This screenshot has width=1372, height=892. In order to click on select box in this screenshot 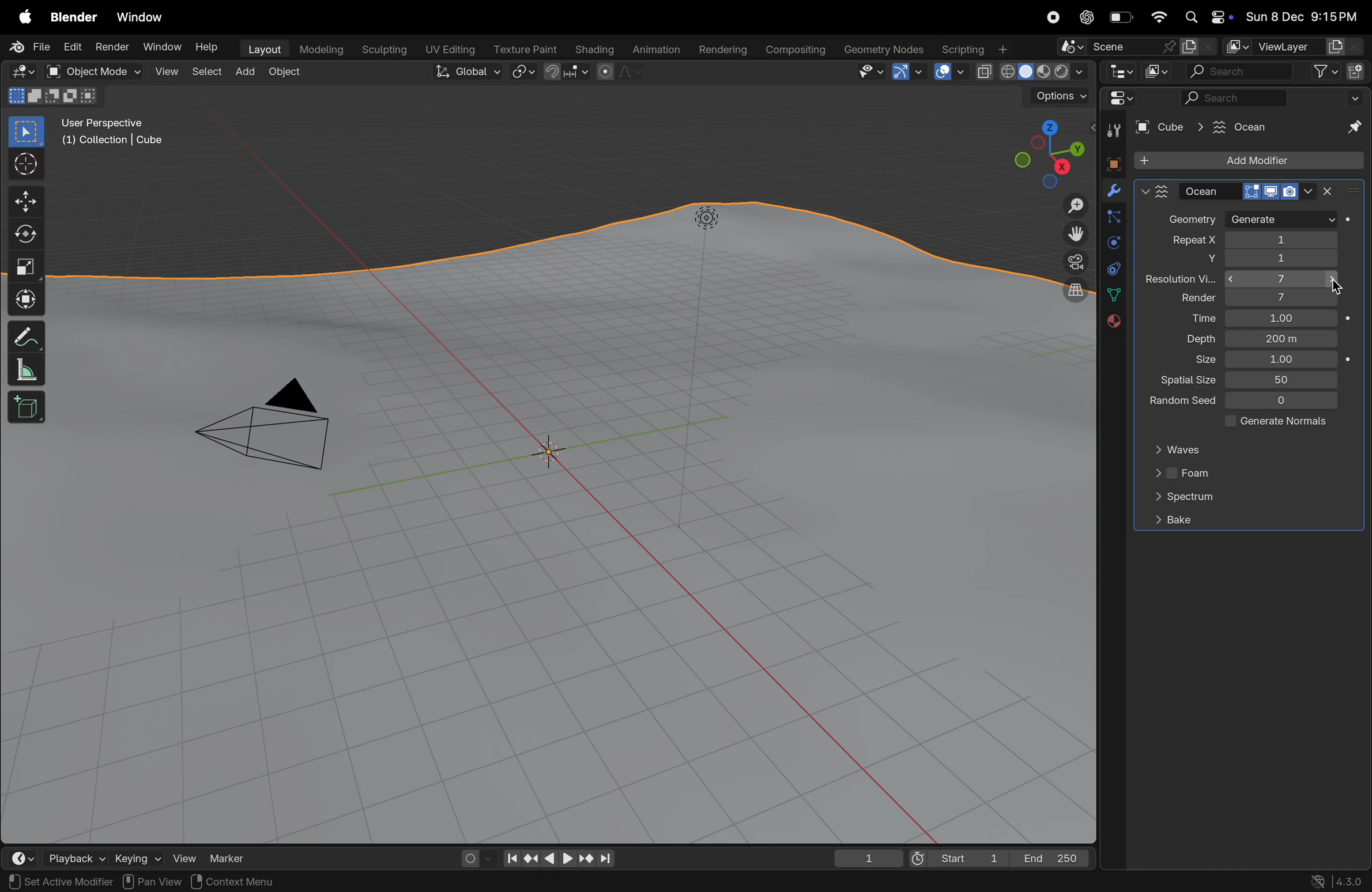, I will do `click(27, 131)`.